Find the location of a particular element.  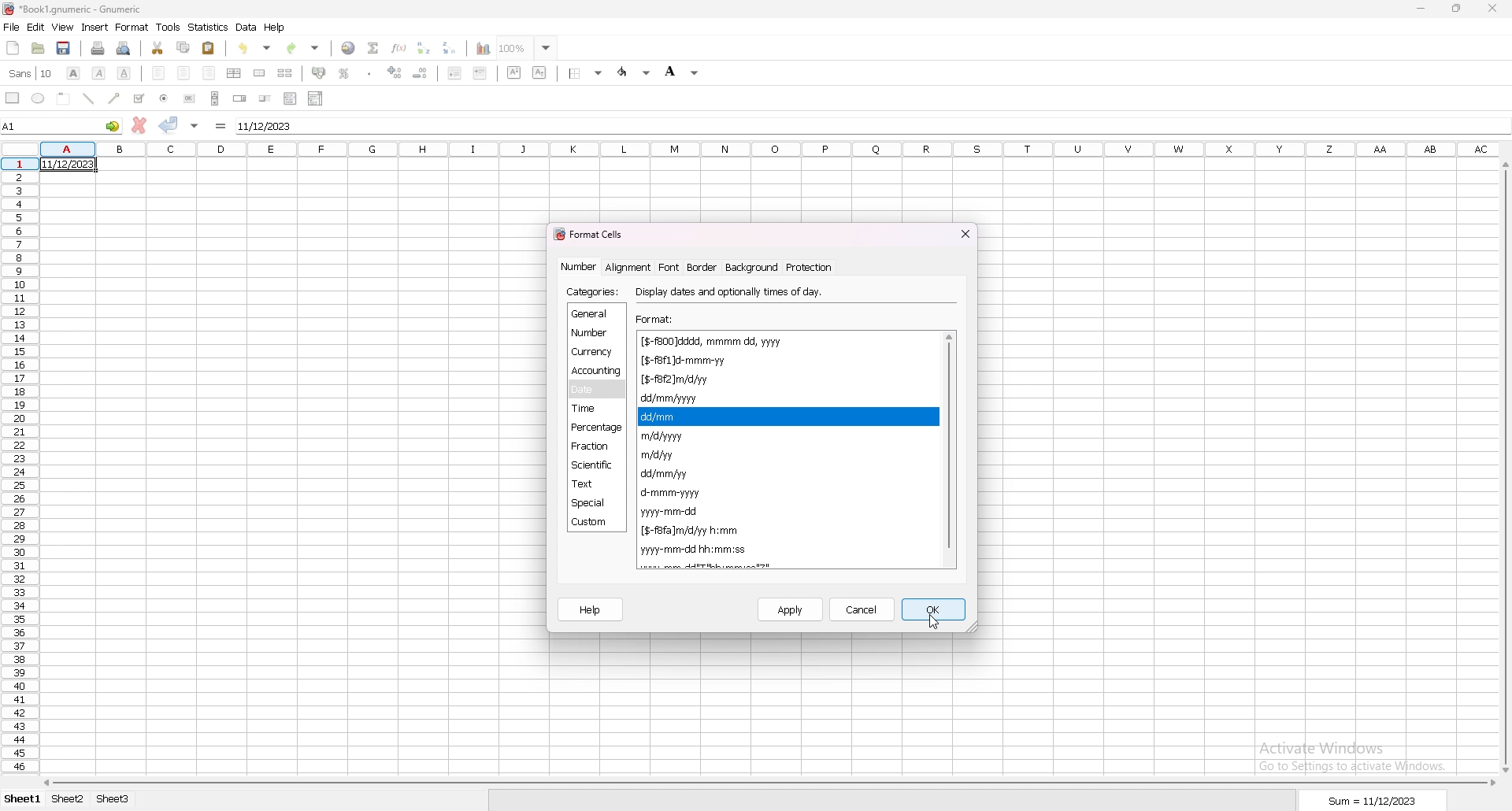

radio button is located at coordinates (165, 98).